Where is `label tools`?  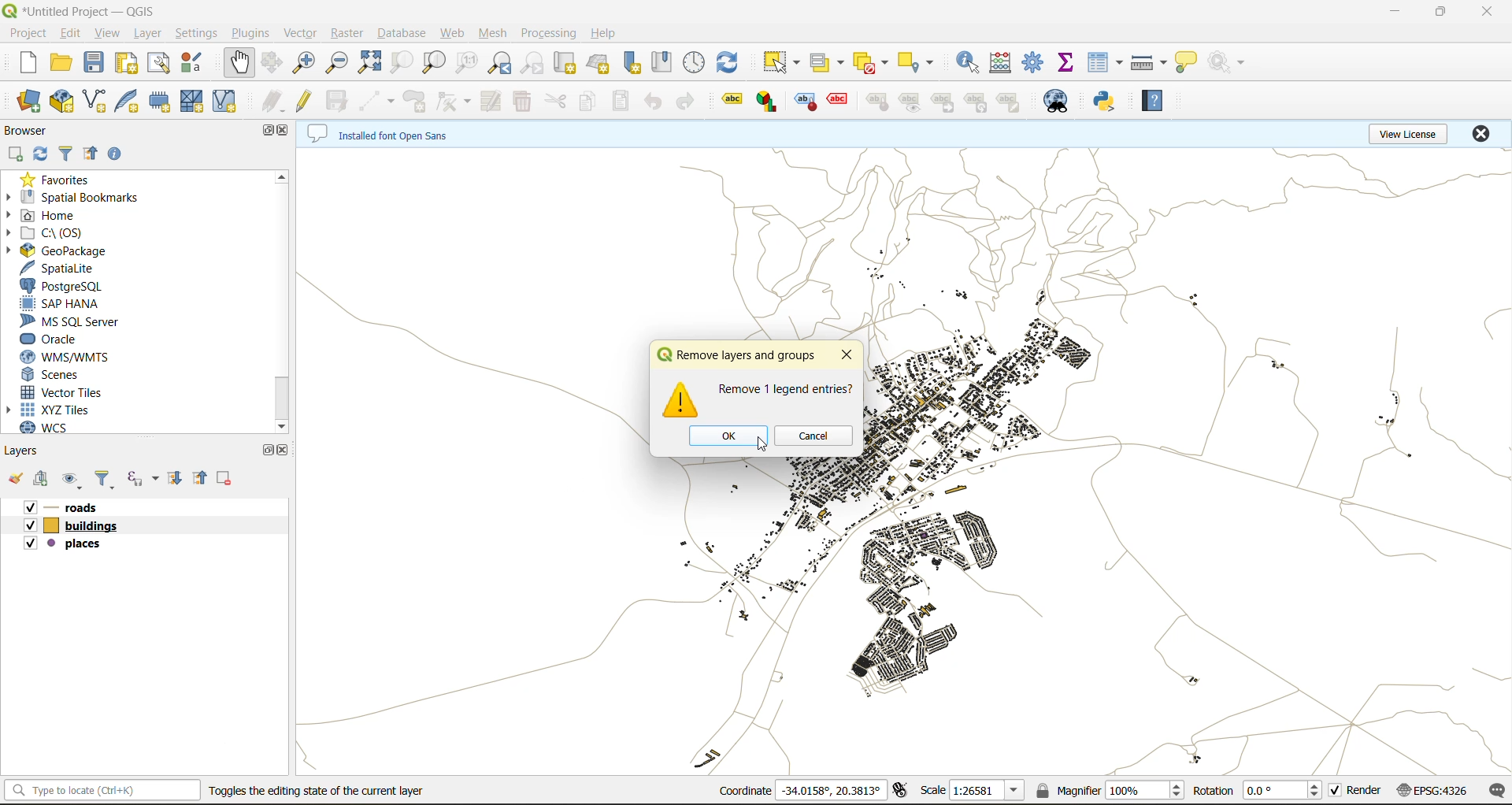
label tools is located at coordinates (876, 103).